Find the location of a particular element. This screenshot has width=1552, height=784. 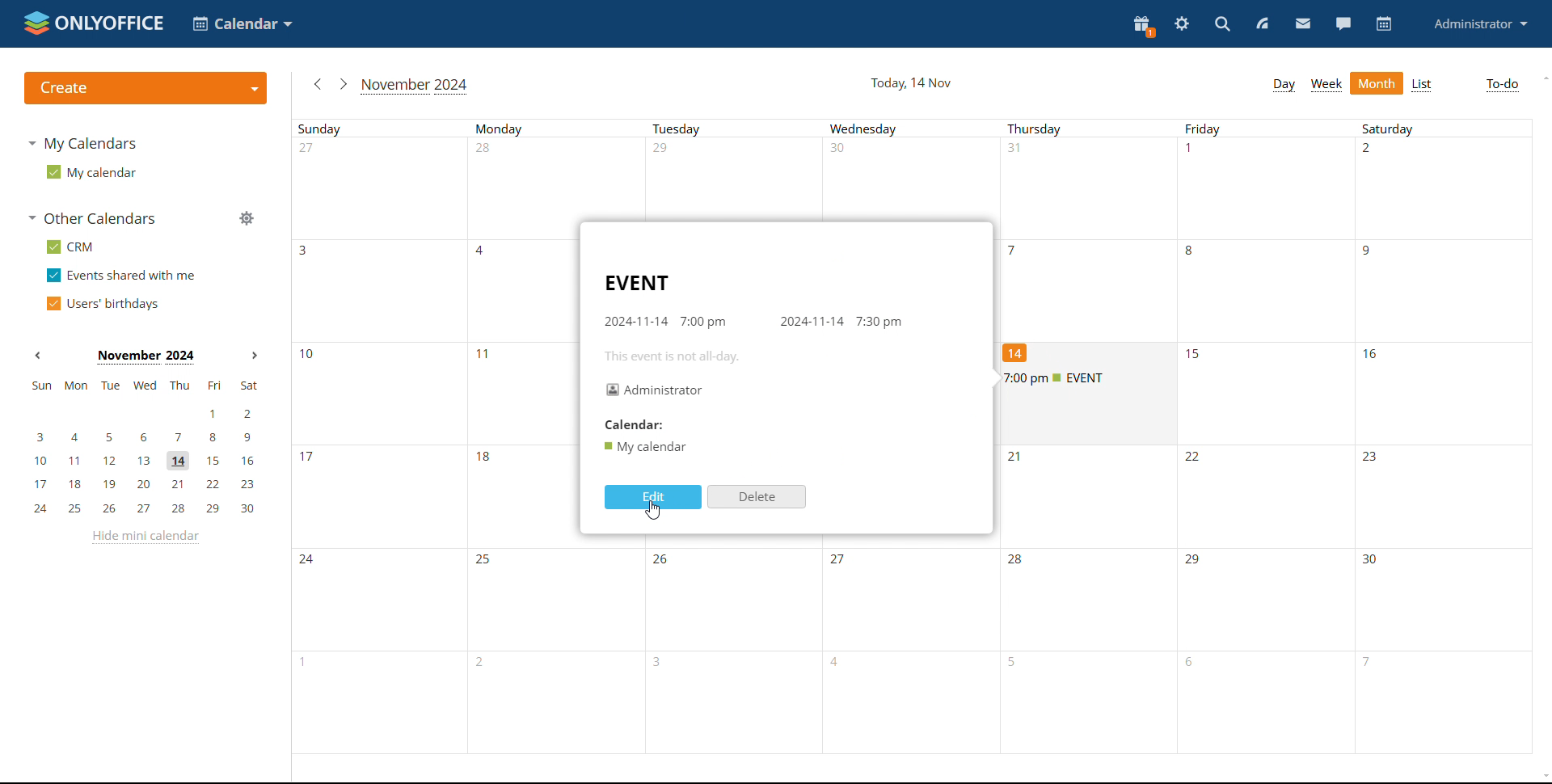

previous month is located at coordinates (315, 83).